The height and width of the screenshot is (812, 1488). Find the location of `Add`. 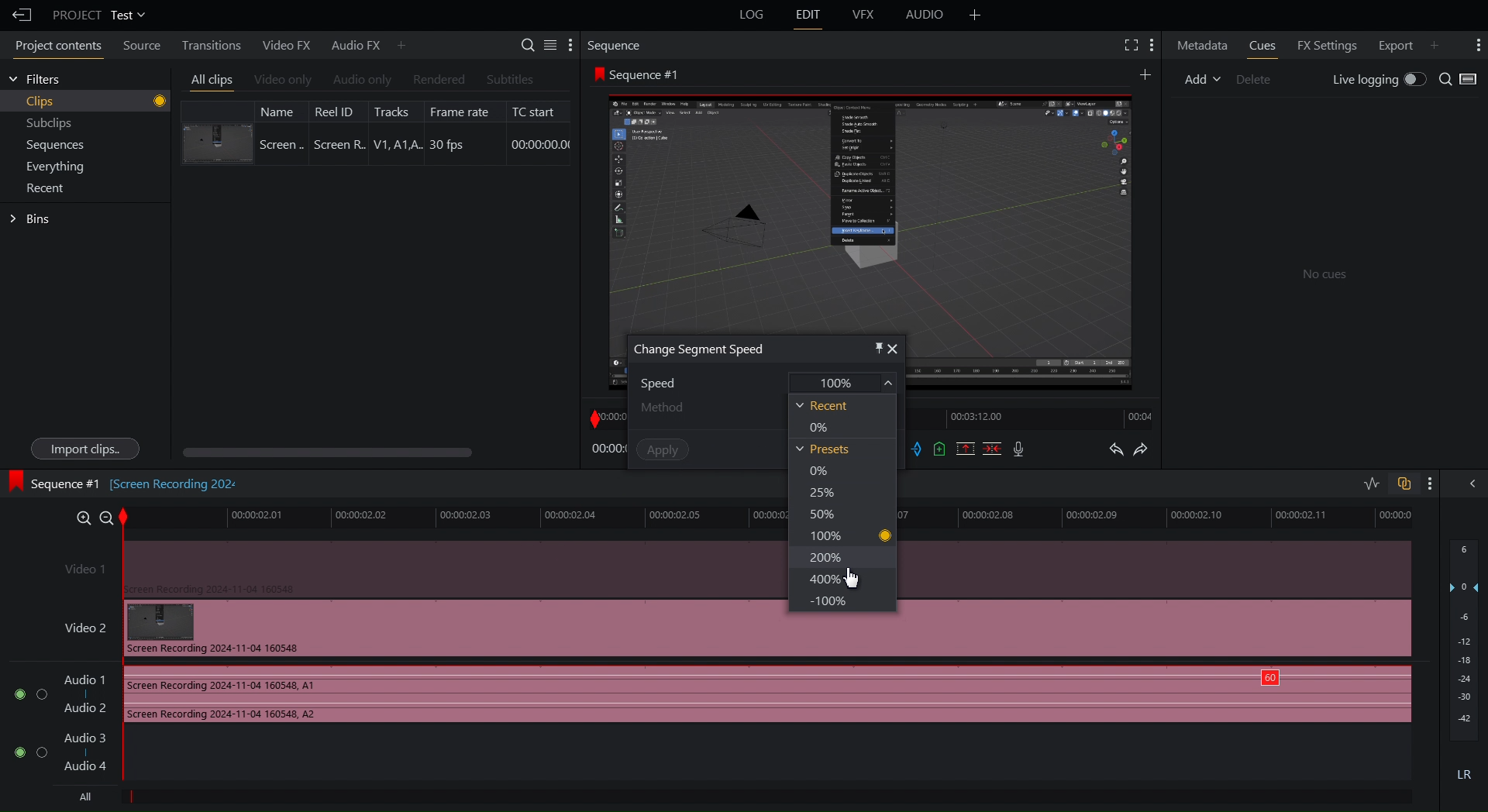

Add is located at coordinates (1202, 77).